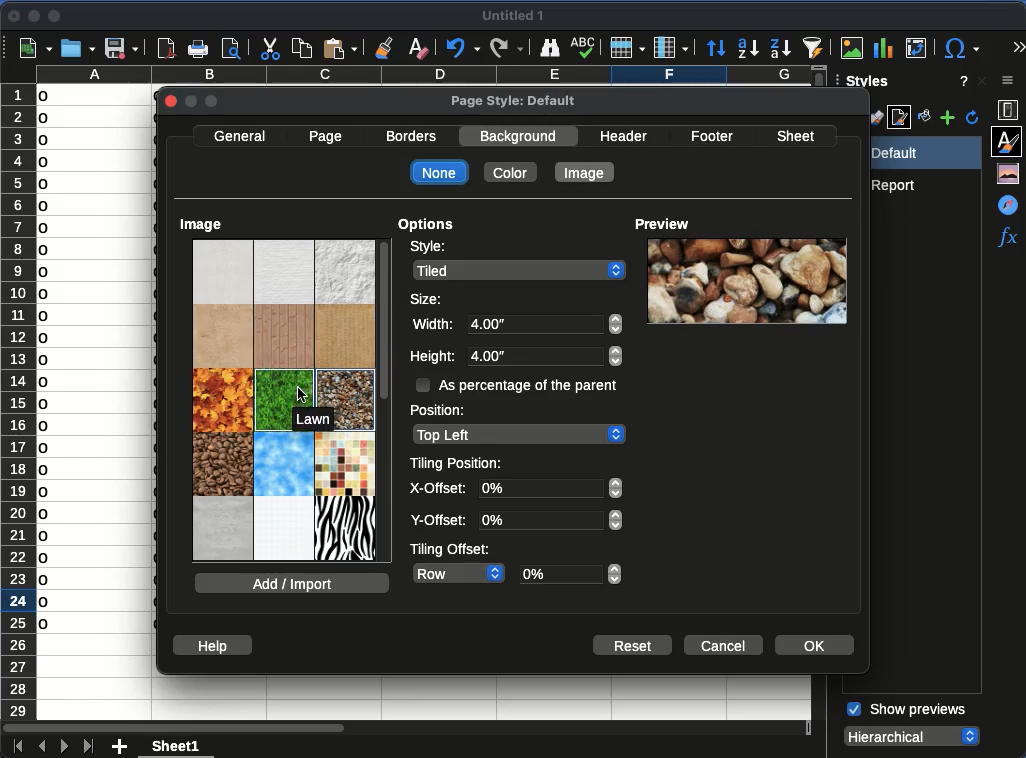  Describe the element at coordinates (1020, 494) in the screenshot. I see `scroll` at that location.